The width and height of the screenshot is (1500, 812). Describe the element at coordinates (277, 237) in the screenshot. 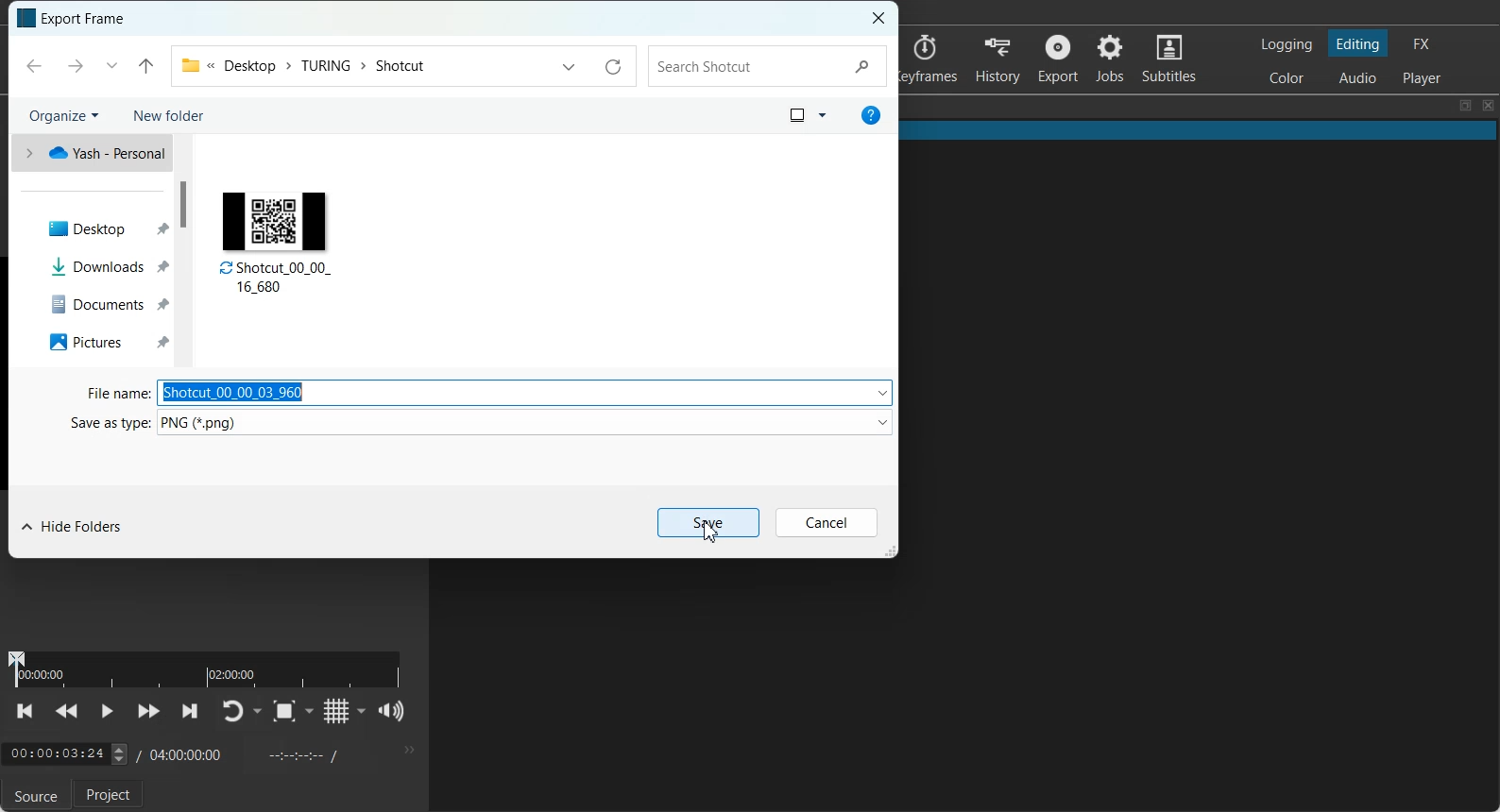

I see `File` at that location.